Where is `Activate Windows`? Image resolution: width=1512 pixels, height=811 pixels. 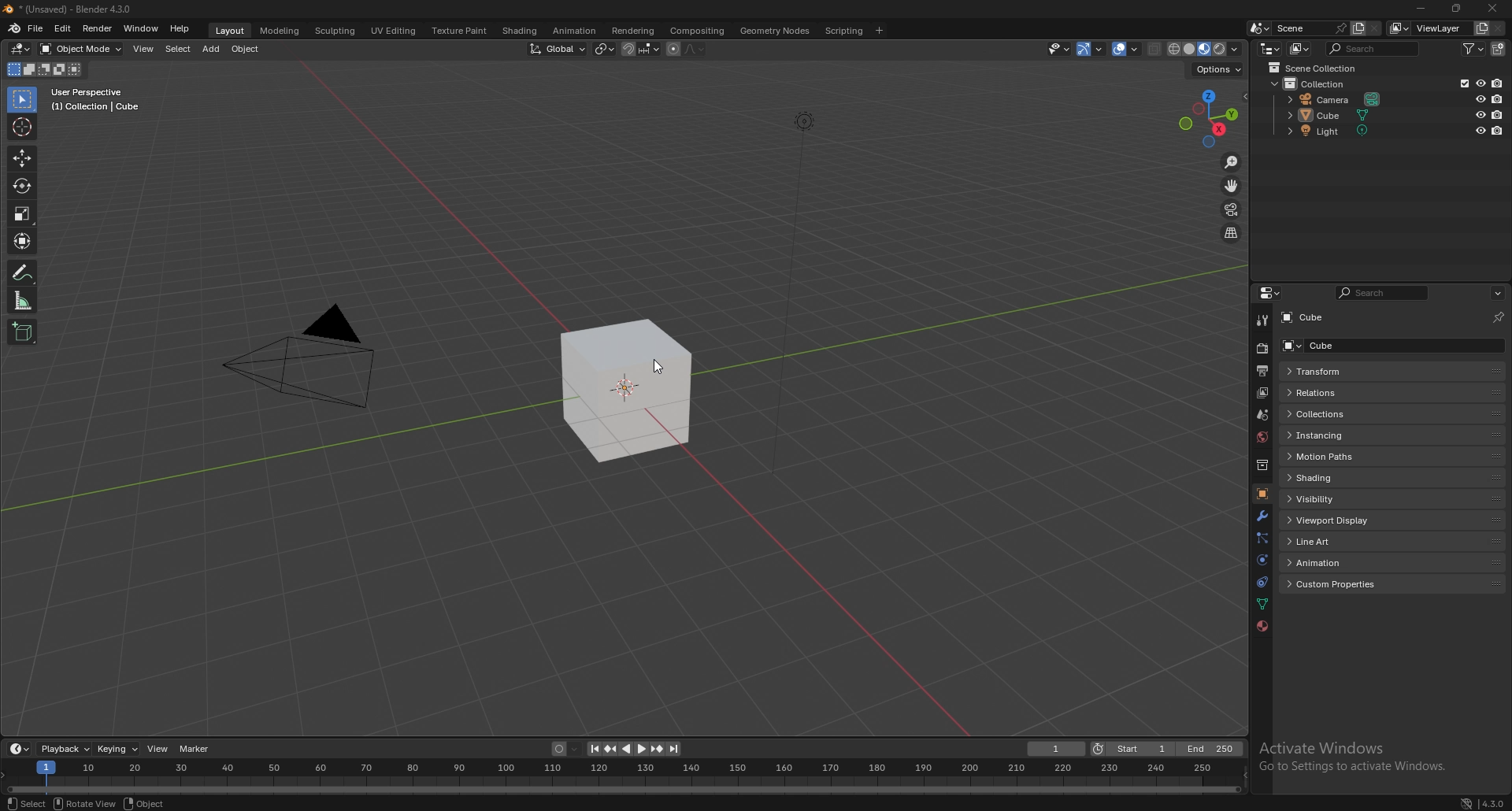
Activate Windows is located at coordinates (1367, 754).